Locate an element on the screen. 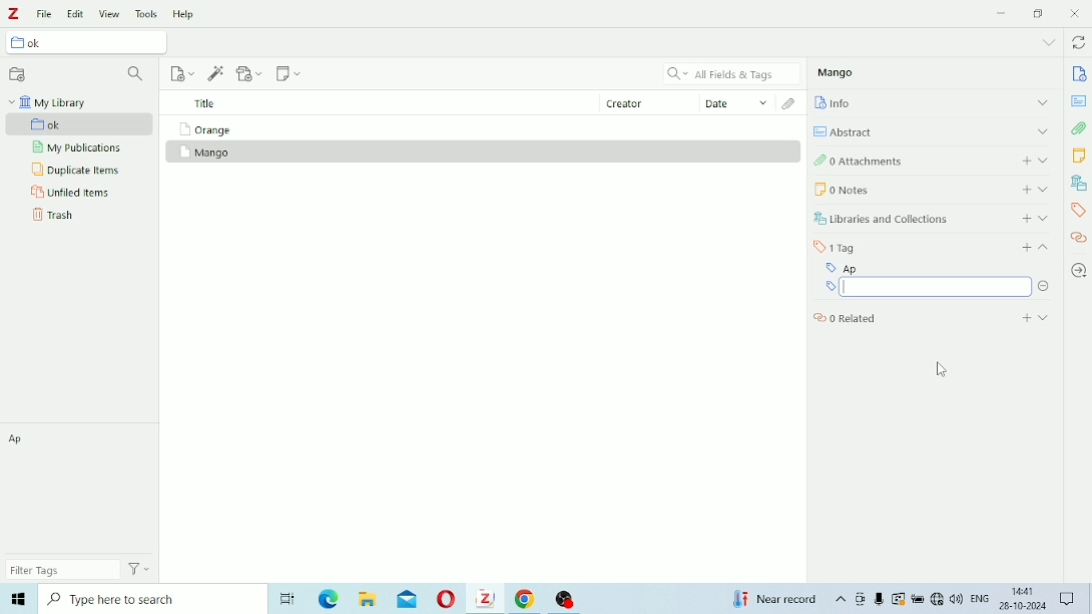 The width and height of the screenshot is (1092, 614). Related is located at coordinates (932, 318).